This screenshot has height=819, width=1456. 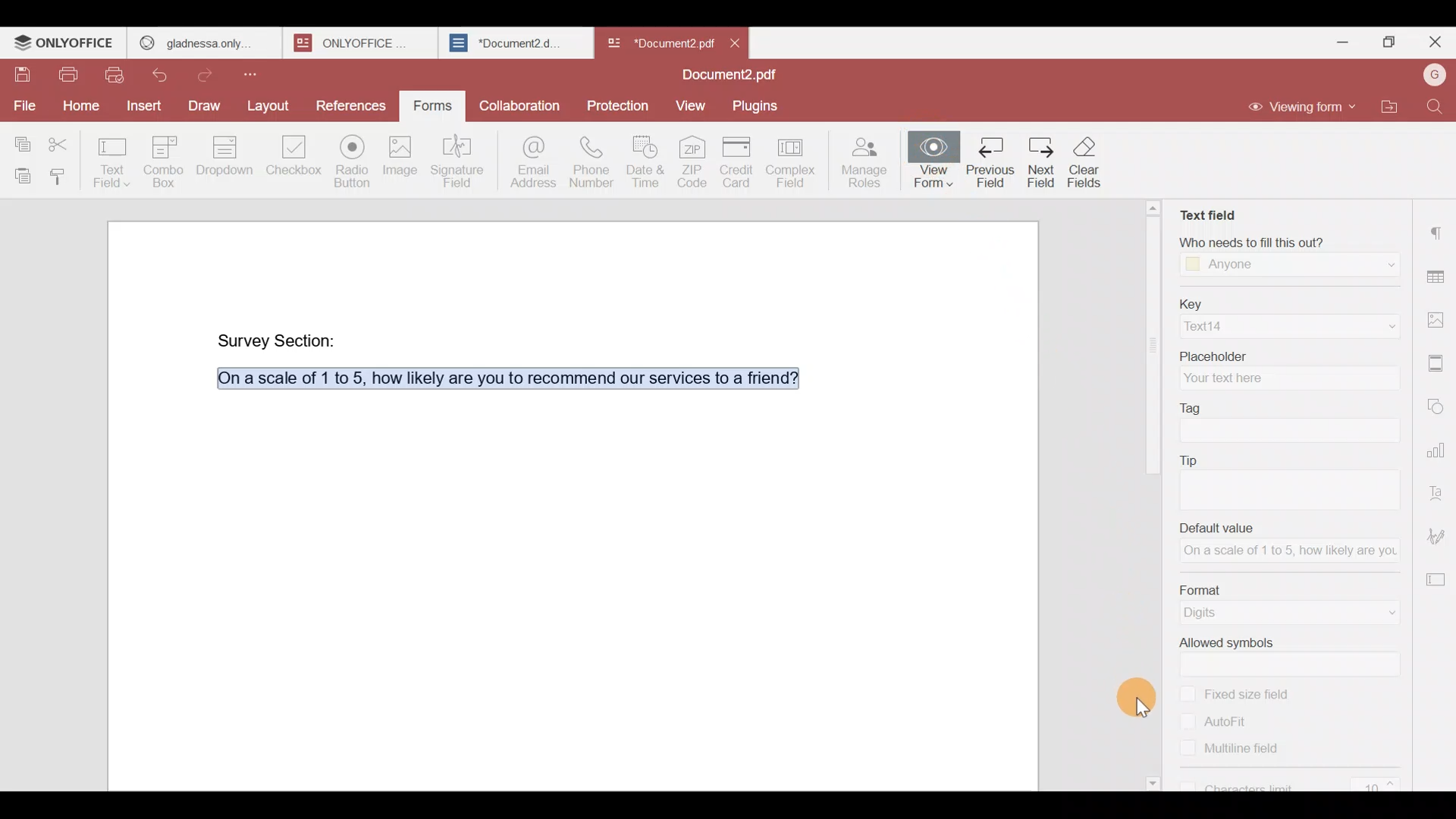 What do you see at coordinates (59, 173) in the screenshot?
I see `Copy style` at bounding box center [59, 173].